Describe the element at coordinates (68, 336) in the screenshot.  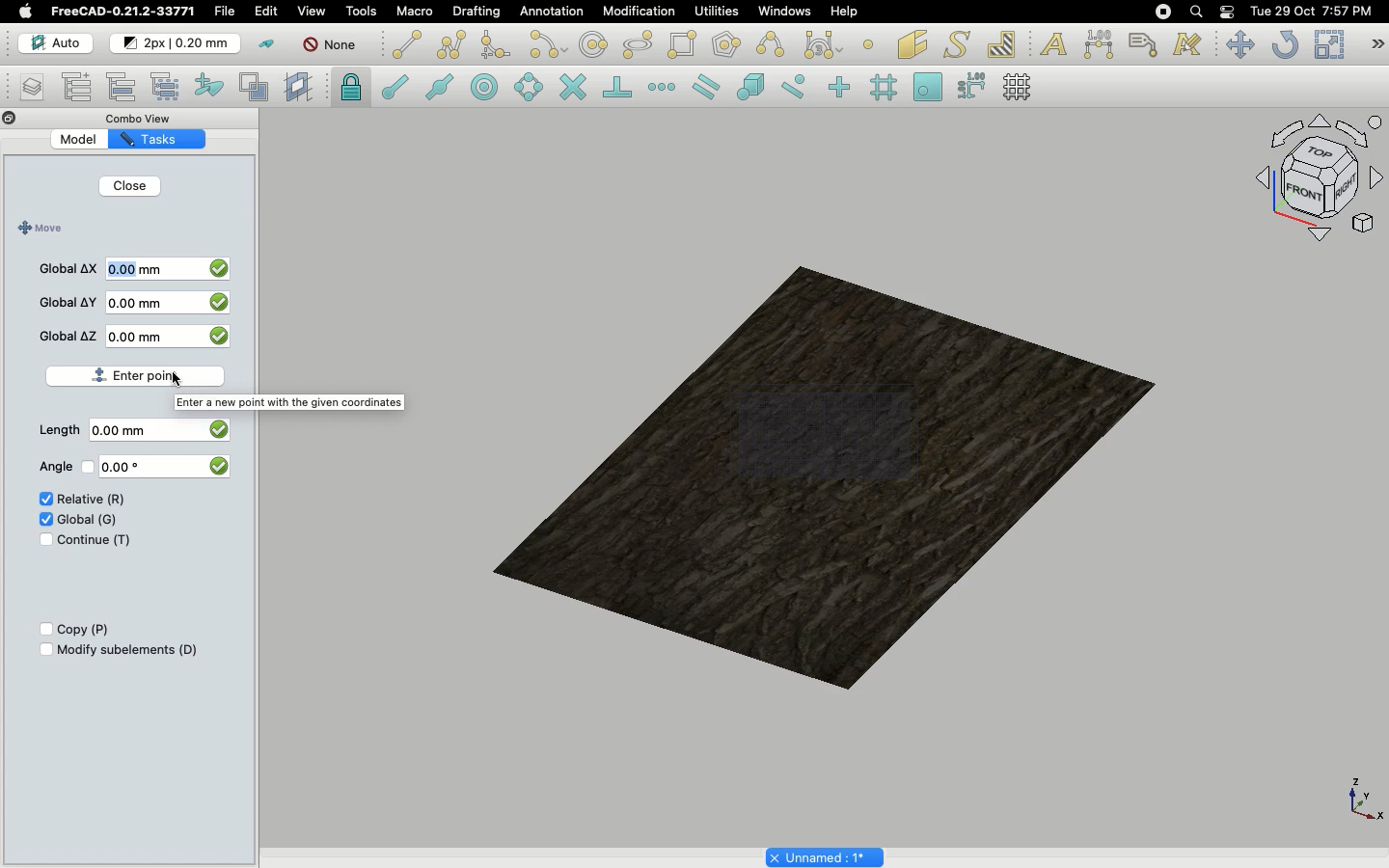
I see `Global Z` at that location.